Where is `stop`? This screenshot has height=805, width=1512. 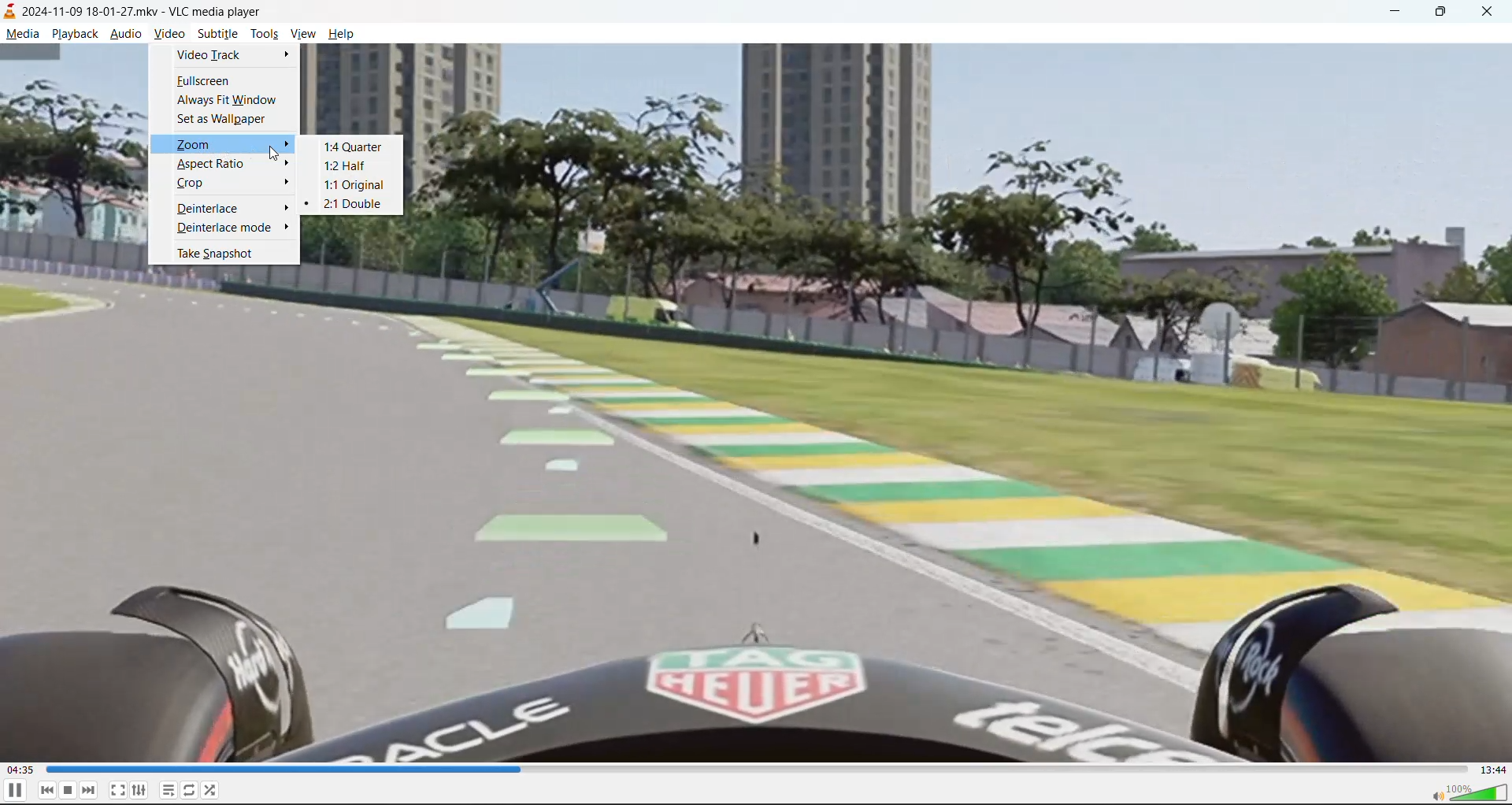 stop is located at coordinates (66, 791).